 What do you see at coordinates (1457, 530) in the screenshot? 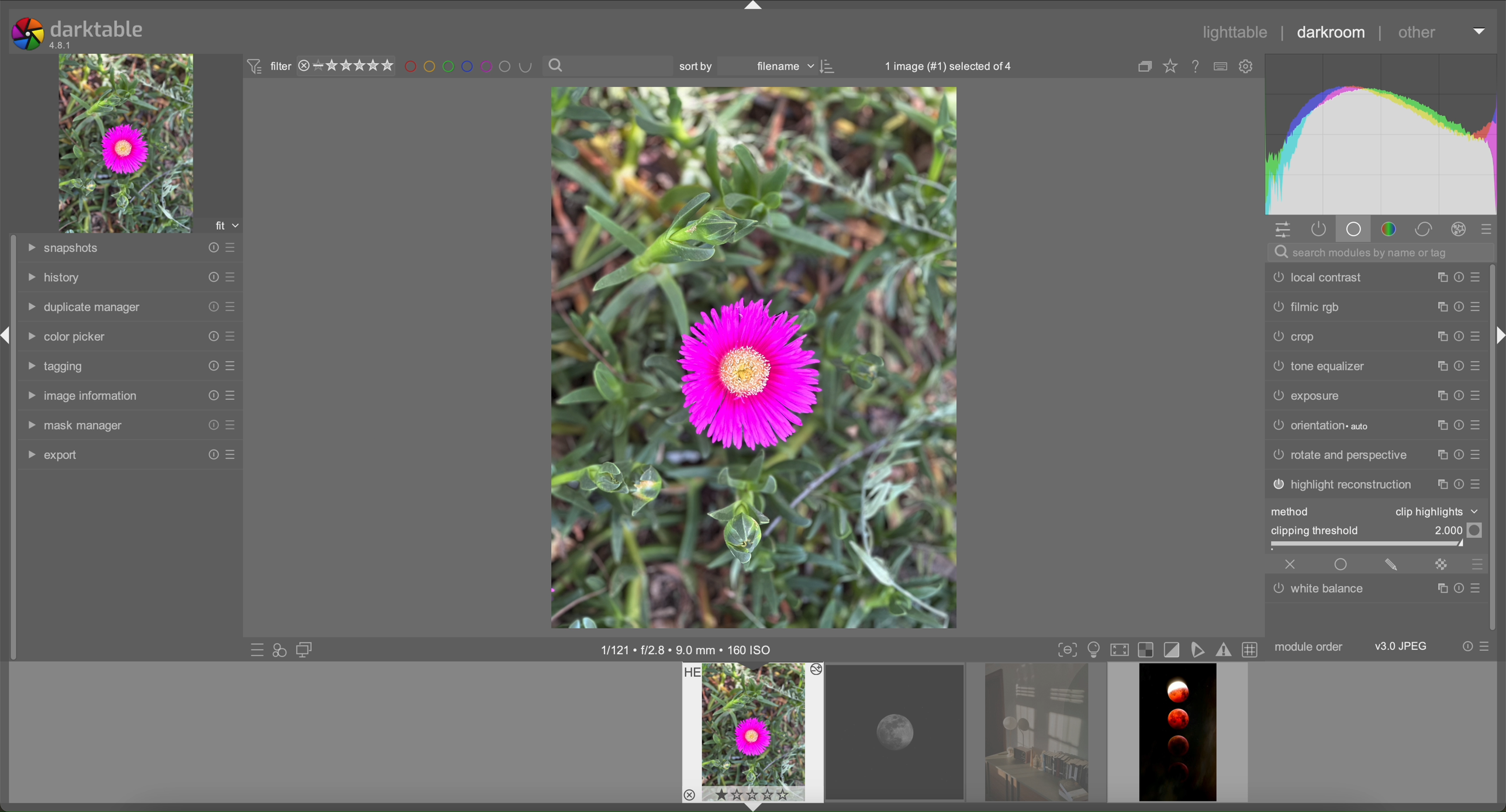
I see `Value` at bounding box center [1457, 530].